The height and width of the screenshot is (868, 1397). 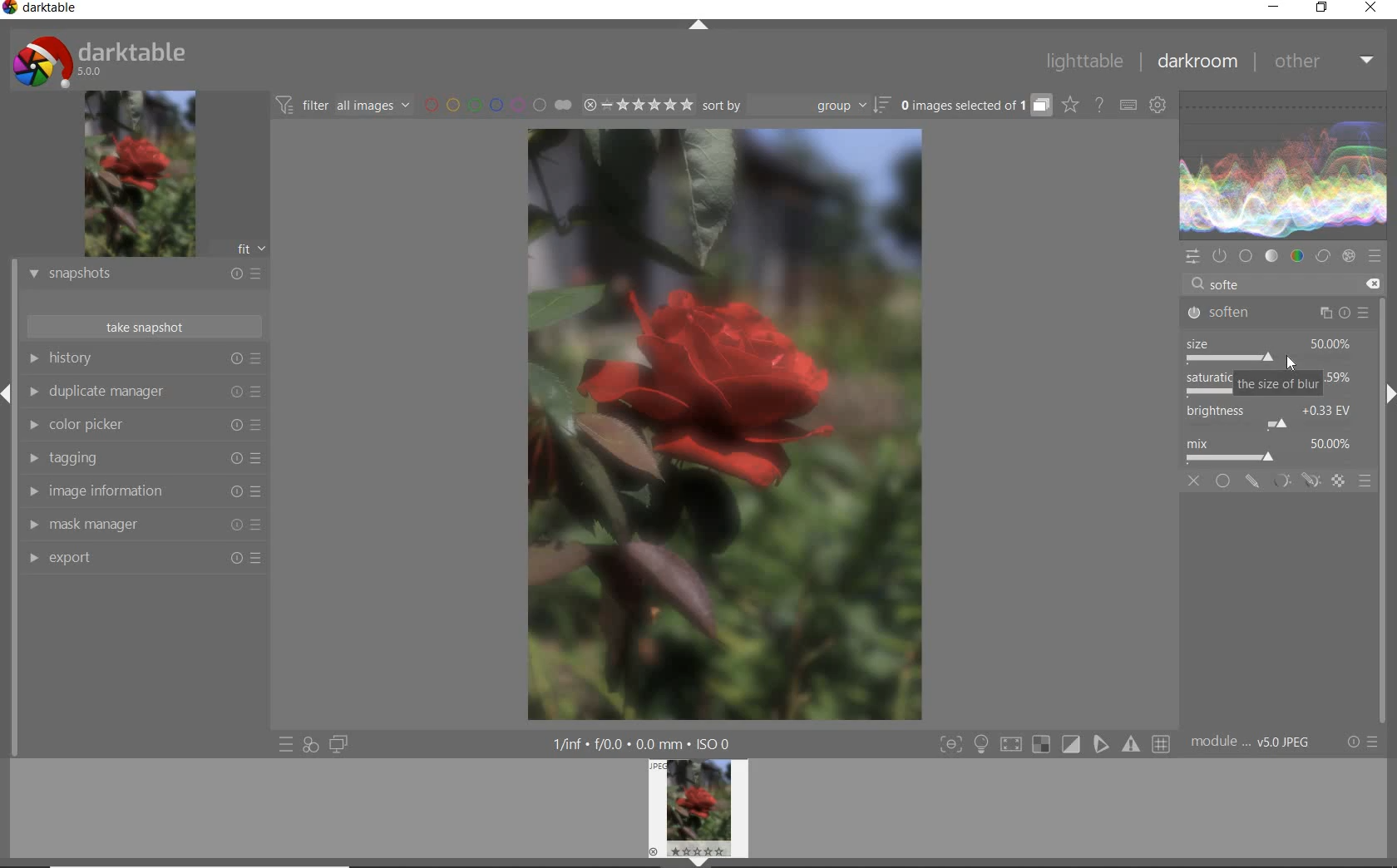 What do you see at coordinates (1087, 62) in the screenshot?
I see `lighttable` at bounding box center [1087, 62].